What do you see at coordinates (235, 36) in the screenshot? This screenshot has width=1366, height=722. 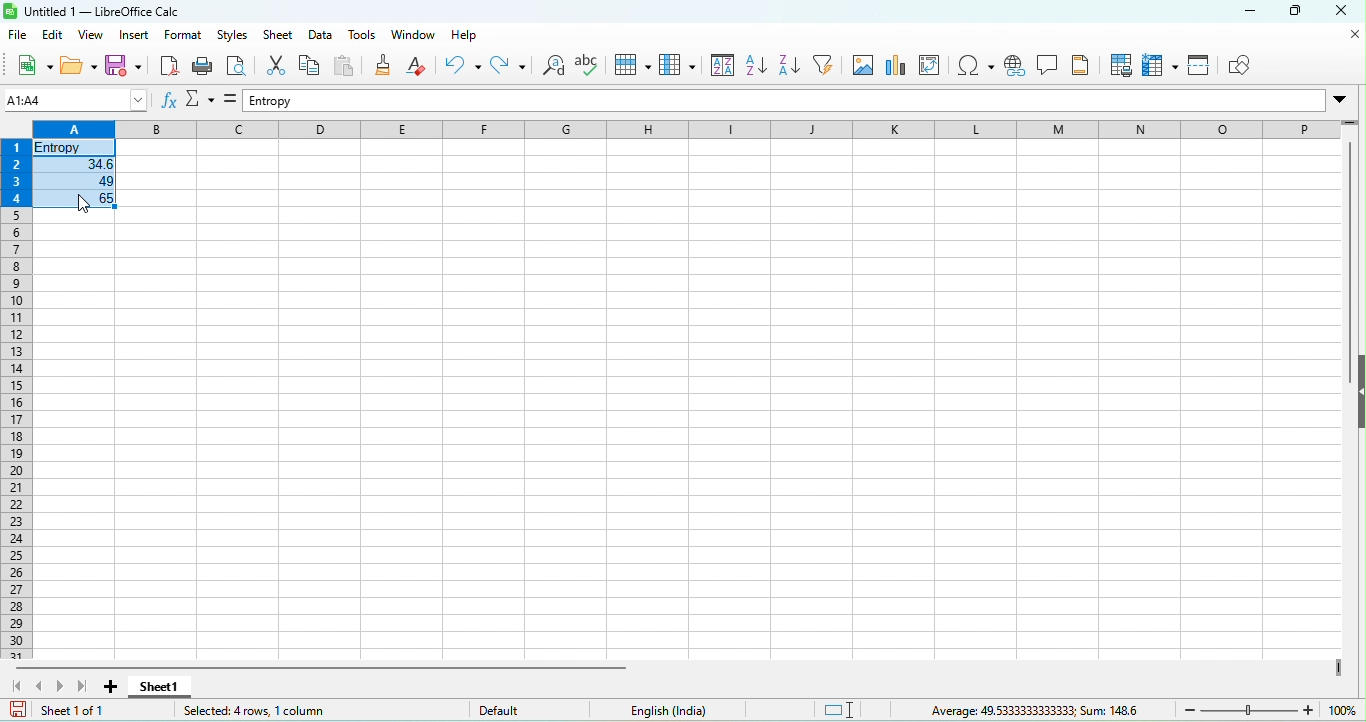 I see `styles` at bounding box center [235, 36].